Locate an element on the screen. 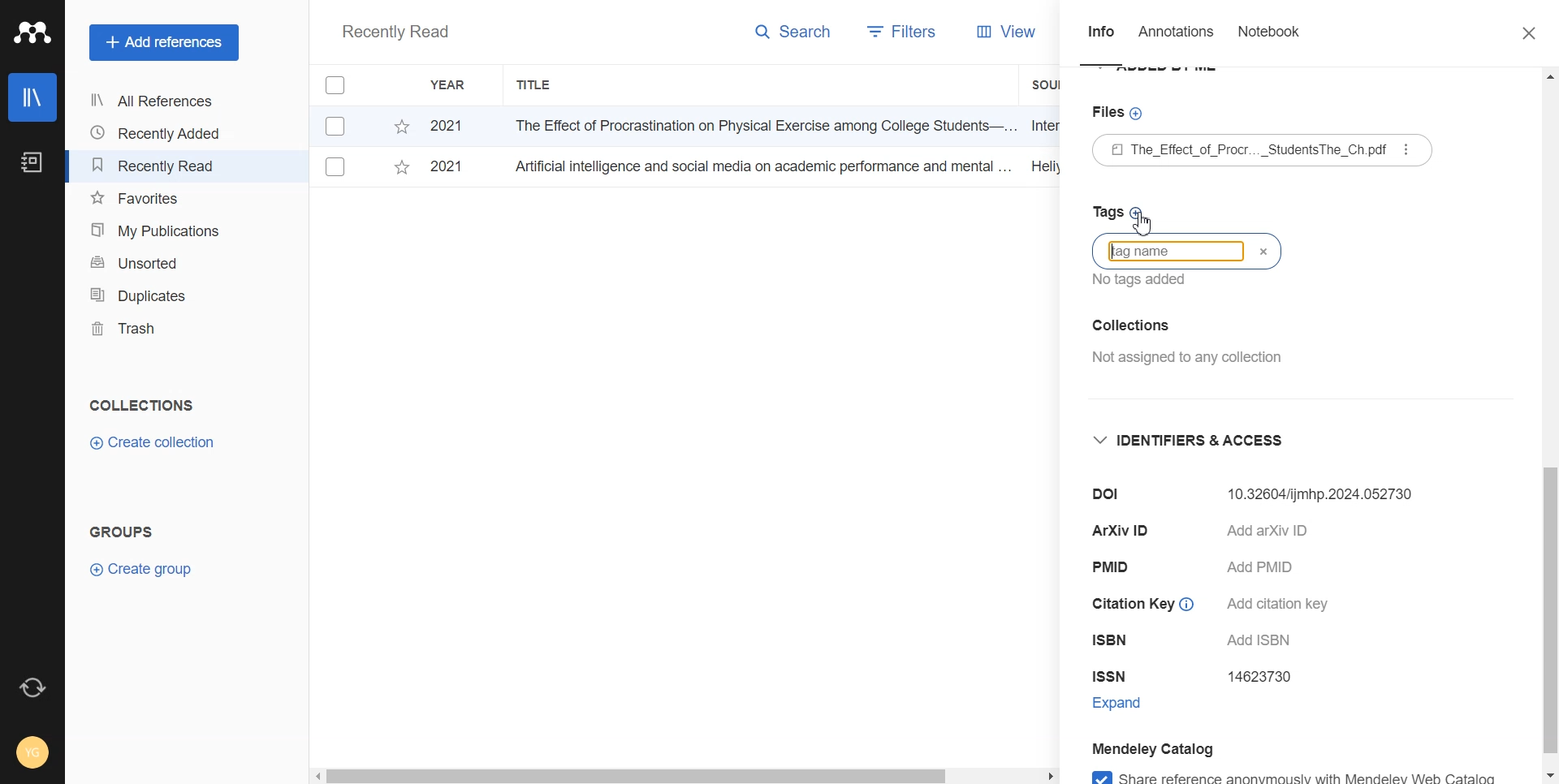 This screenshot has height=784, width=1559. The_Effect of Procr..._StudentsThe_Ch.pdf is located at coordinates (1240, 151).